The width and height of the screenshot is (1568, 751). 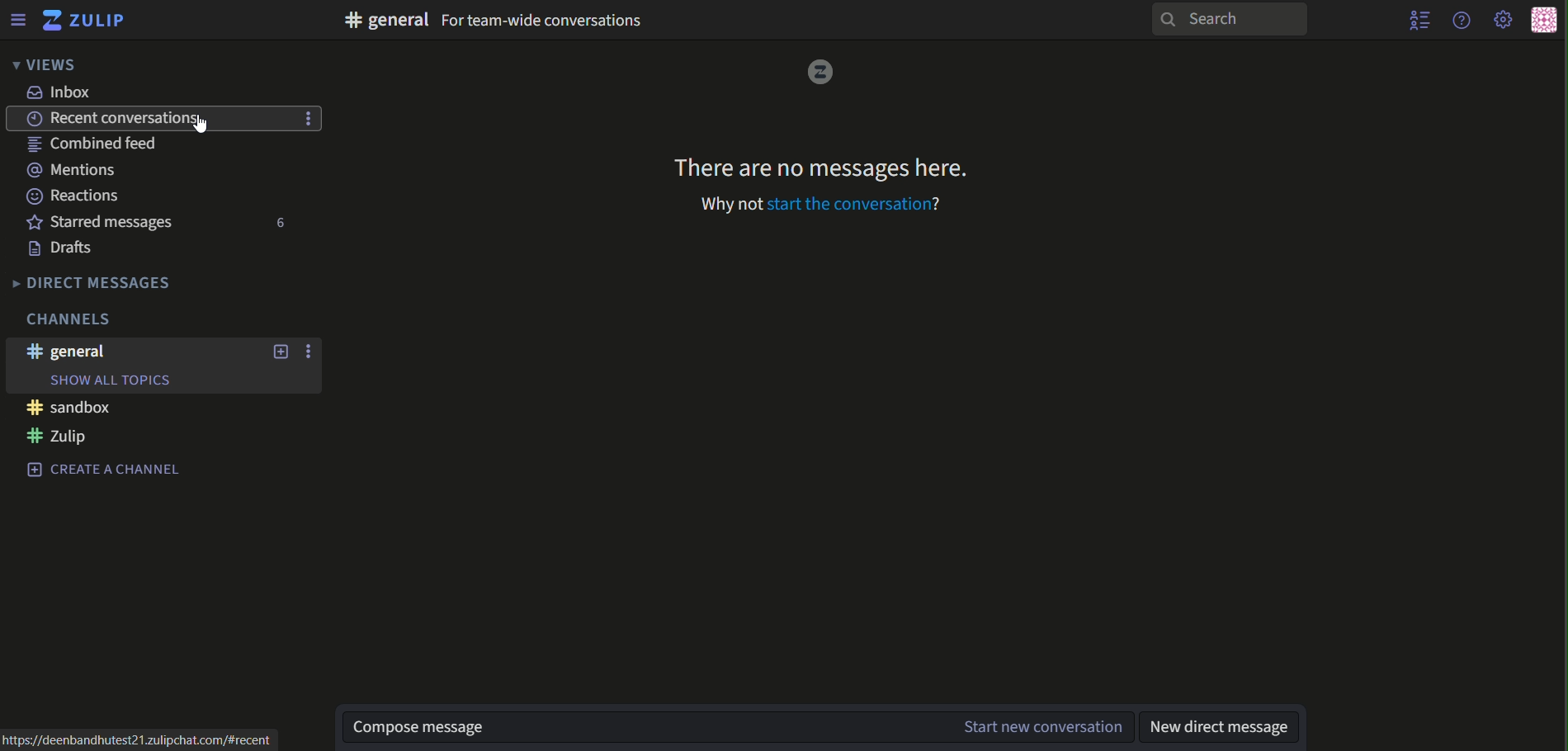 What do you see at coordinates (741, 727) in the screenshot?
I see `text box` at bounding box center [741, 727].